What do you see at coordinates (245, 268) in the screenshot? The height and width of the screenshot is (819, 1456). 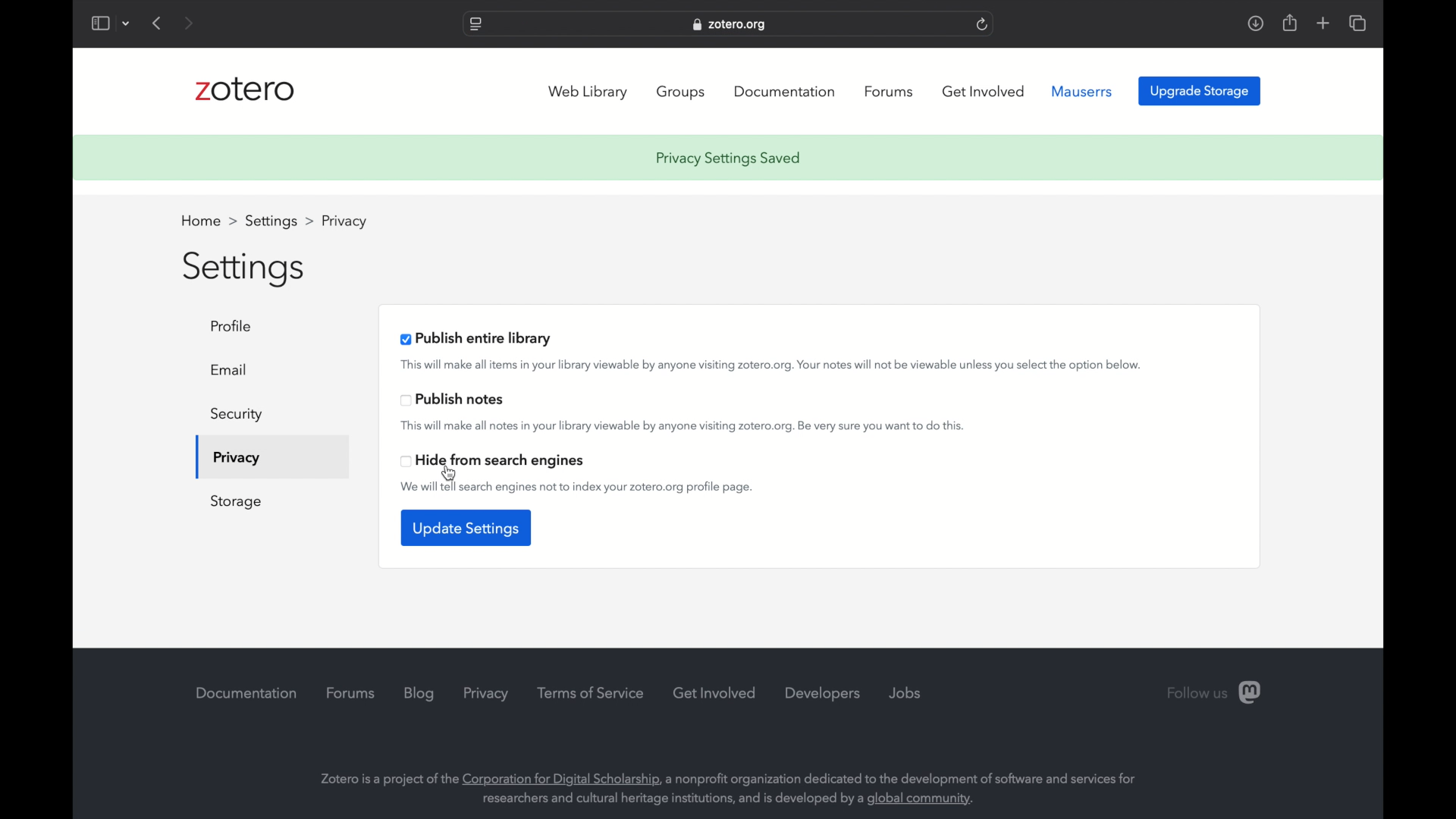 I see `settings` at bounding box center [245, 268].